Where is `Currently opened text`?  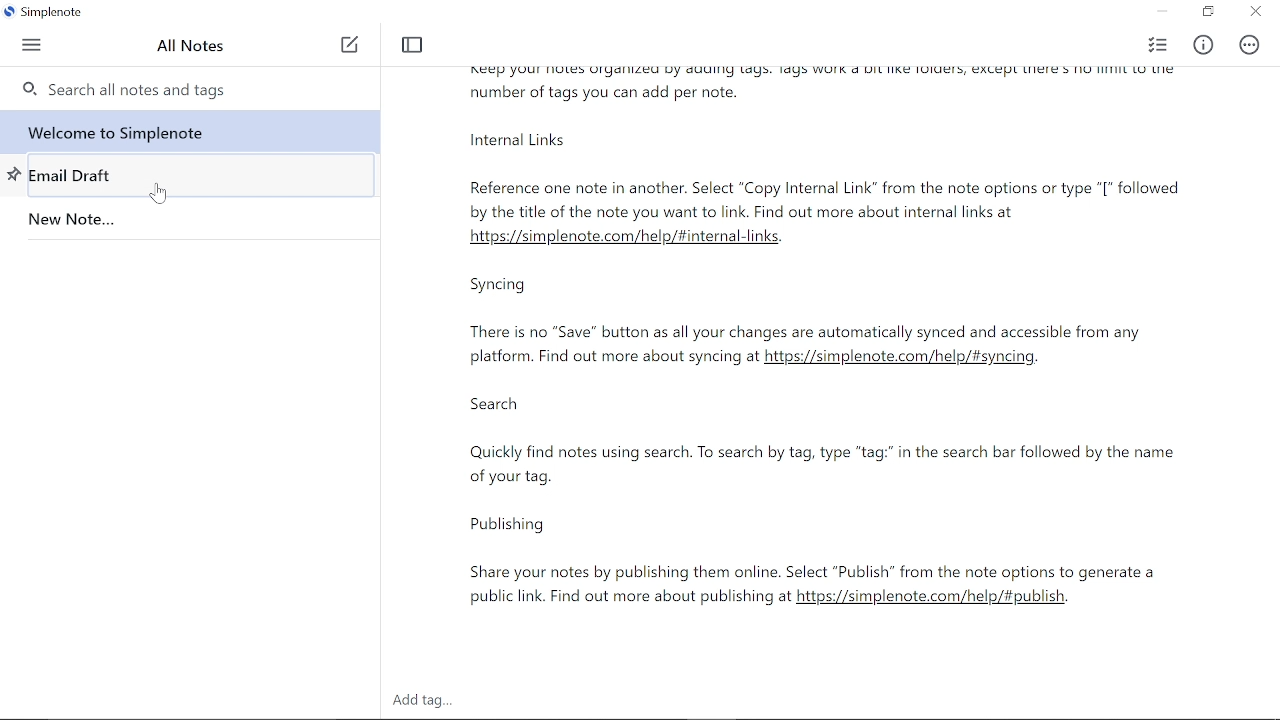
Currently opened text is located at coordinates (826, 352).